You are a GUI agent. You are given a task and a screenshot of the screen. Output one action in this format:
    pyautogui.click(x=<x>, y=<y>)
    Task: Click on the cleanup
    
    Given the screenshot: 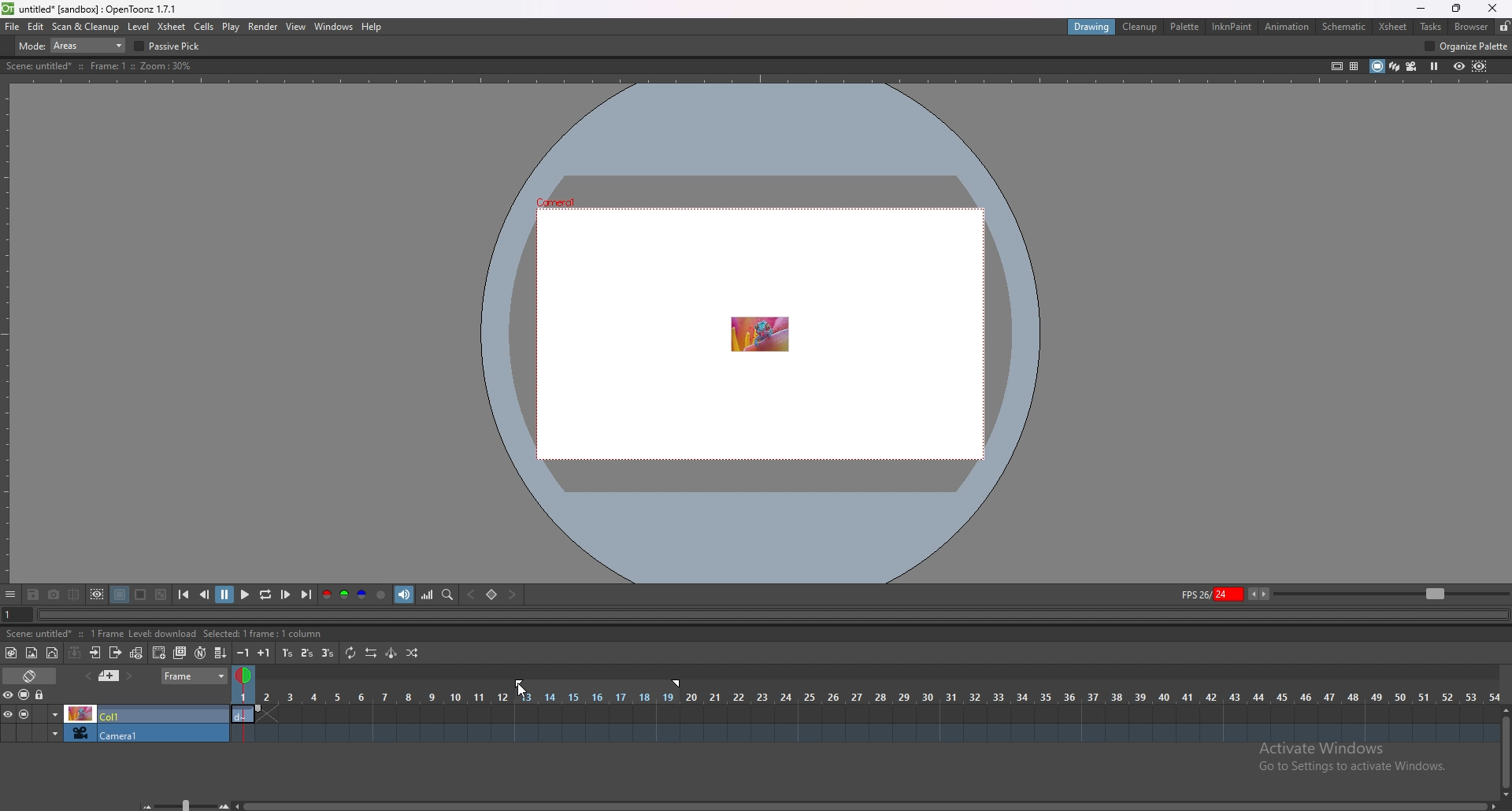 What is the action you would take?
    pyautogui.click(x=1141, y=27)
    